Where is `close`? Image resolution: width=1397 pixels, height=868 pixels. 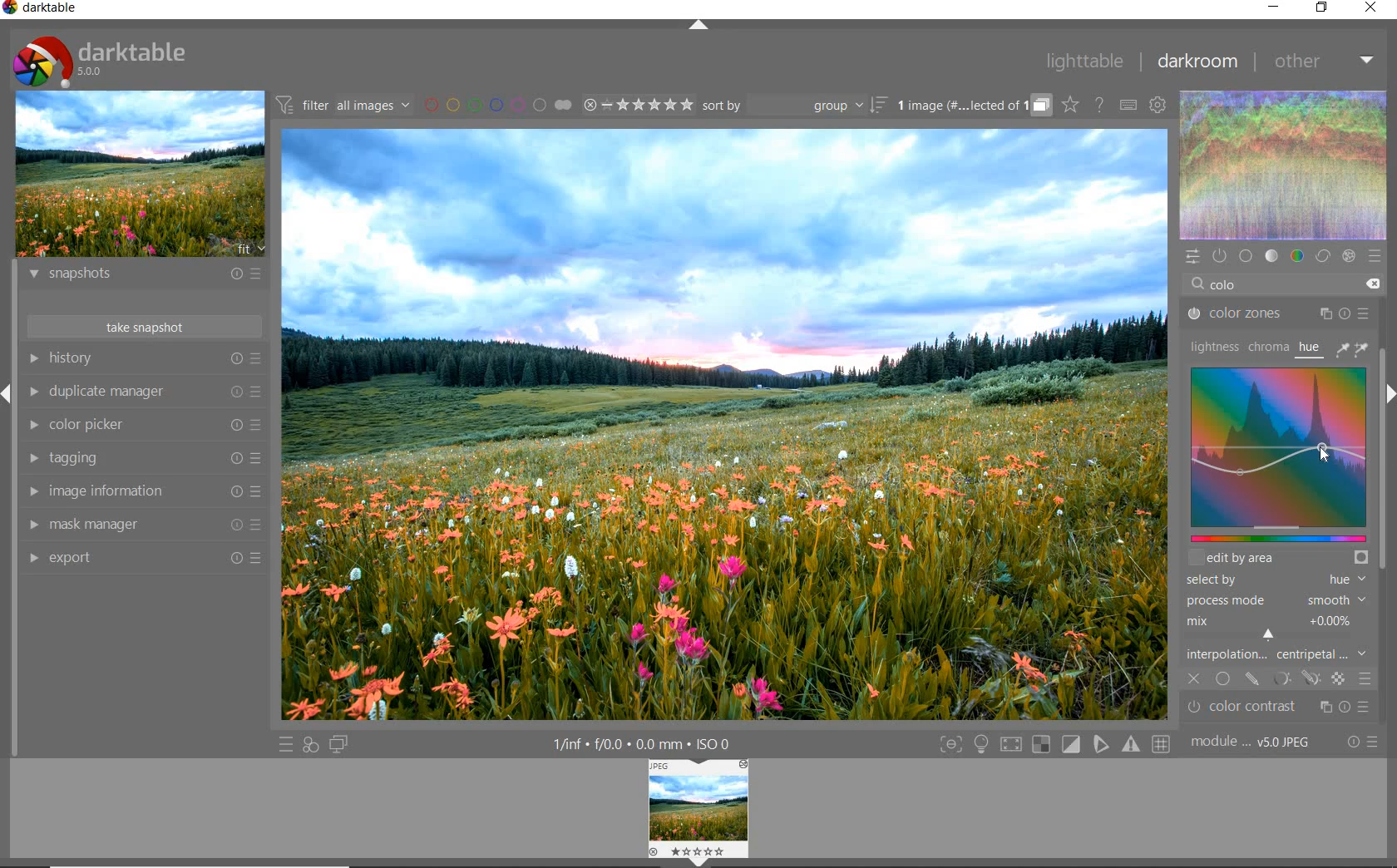 close is located at coordinates (1372, 7).